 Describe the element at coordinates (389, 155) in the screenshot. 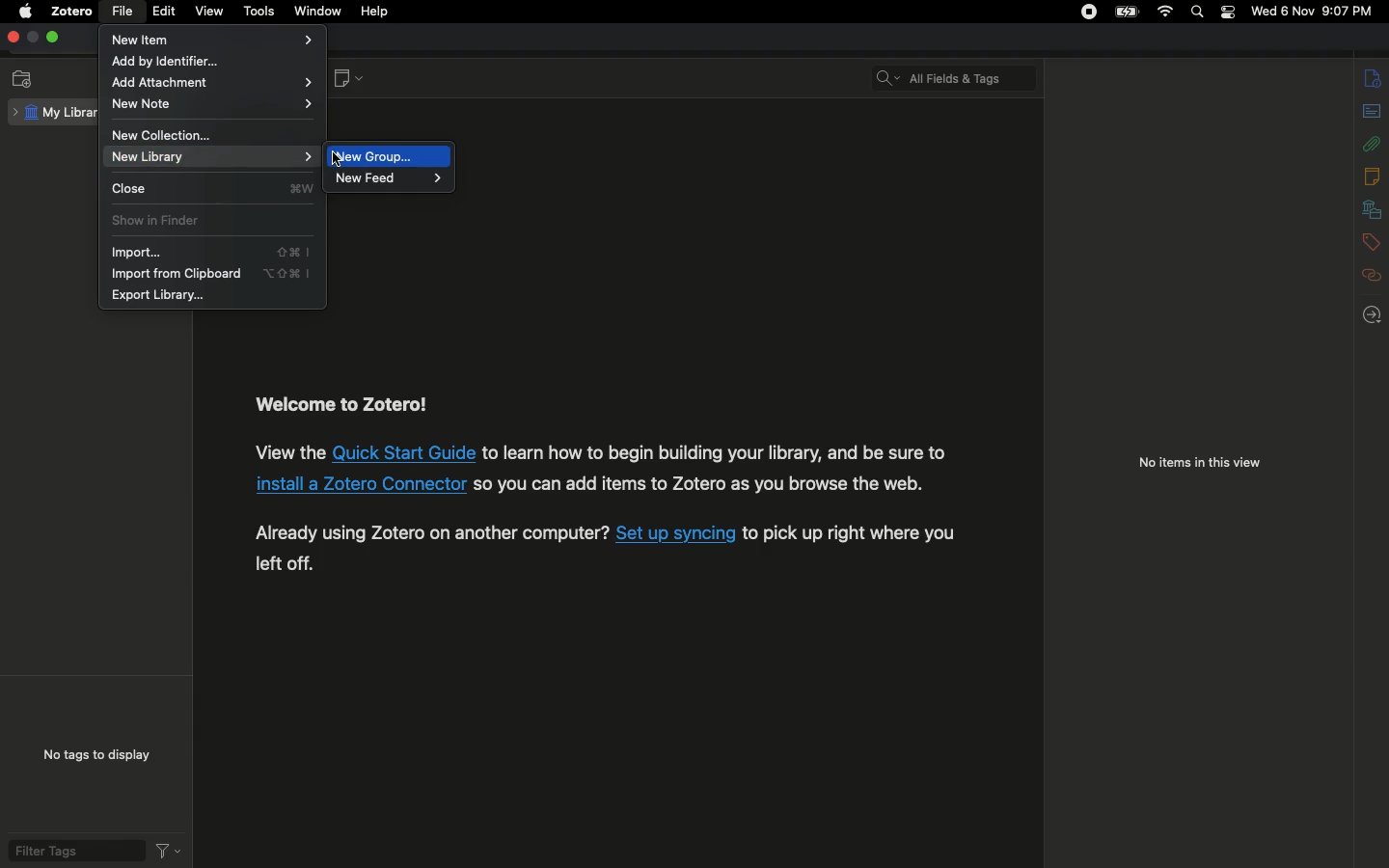

I see `New group` at that location.